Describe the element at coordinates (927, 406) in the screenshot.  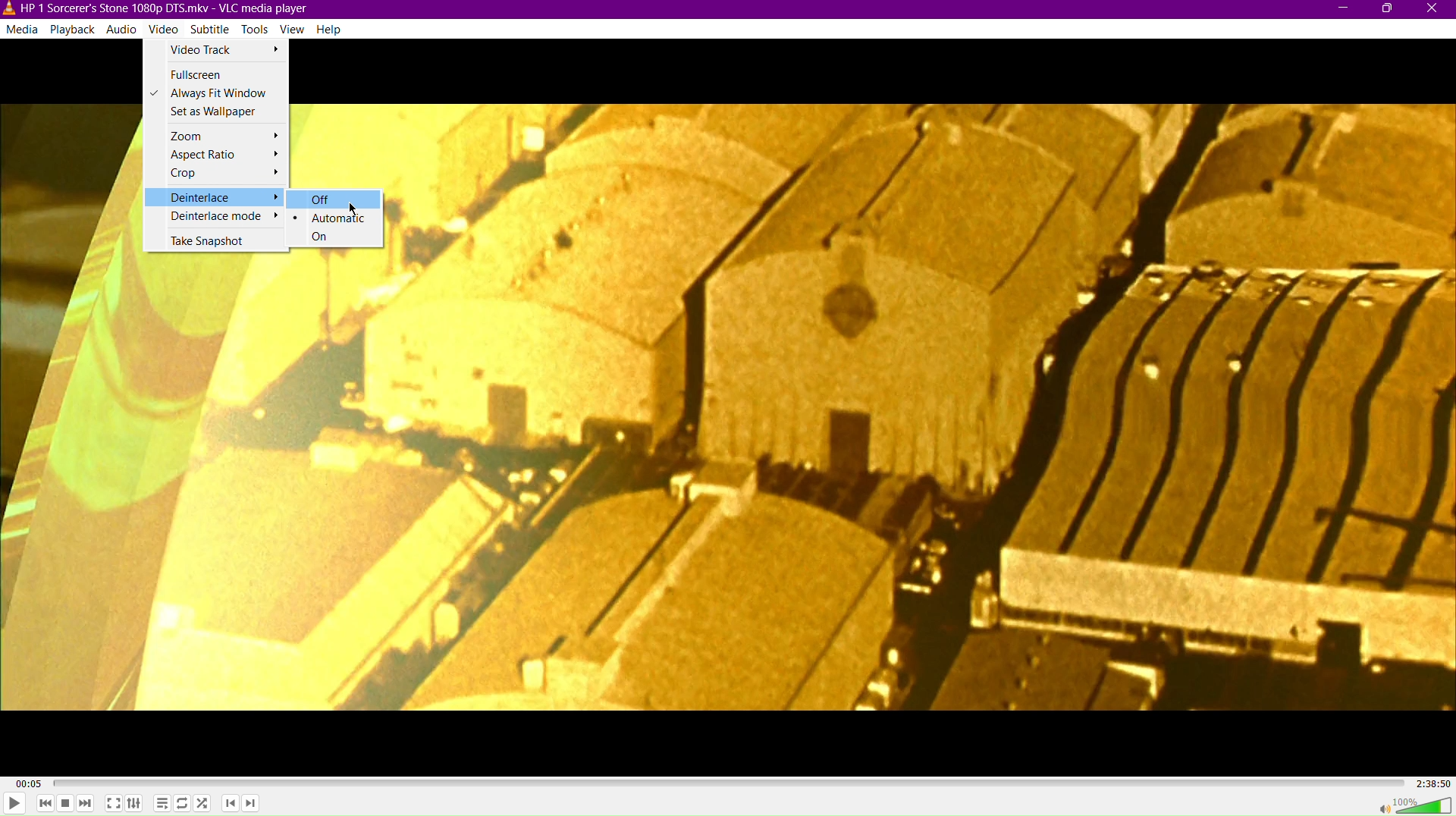
I see `Video Display` at that location.